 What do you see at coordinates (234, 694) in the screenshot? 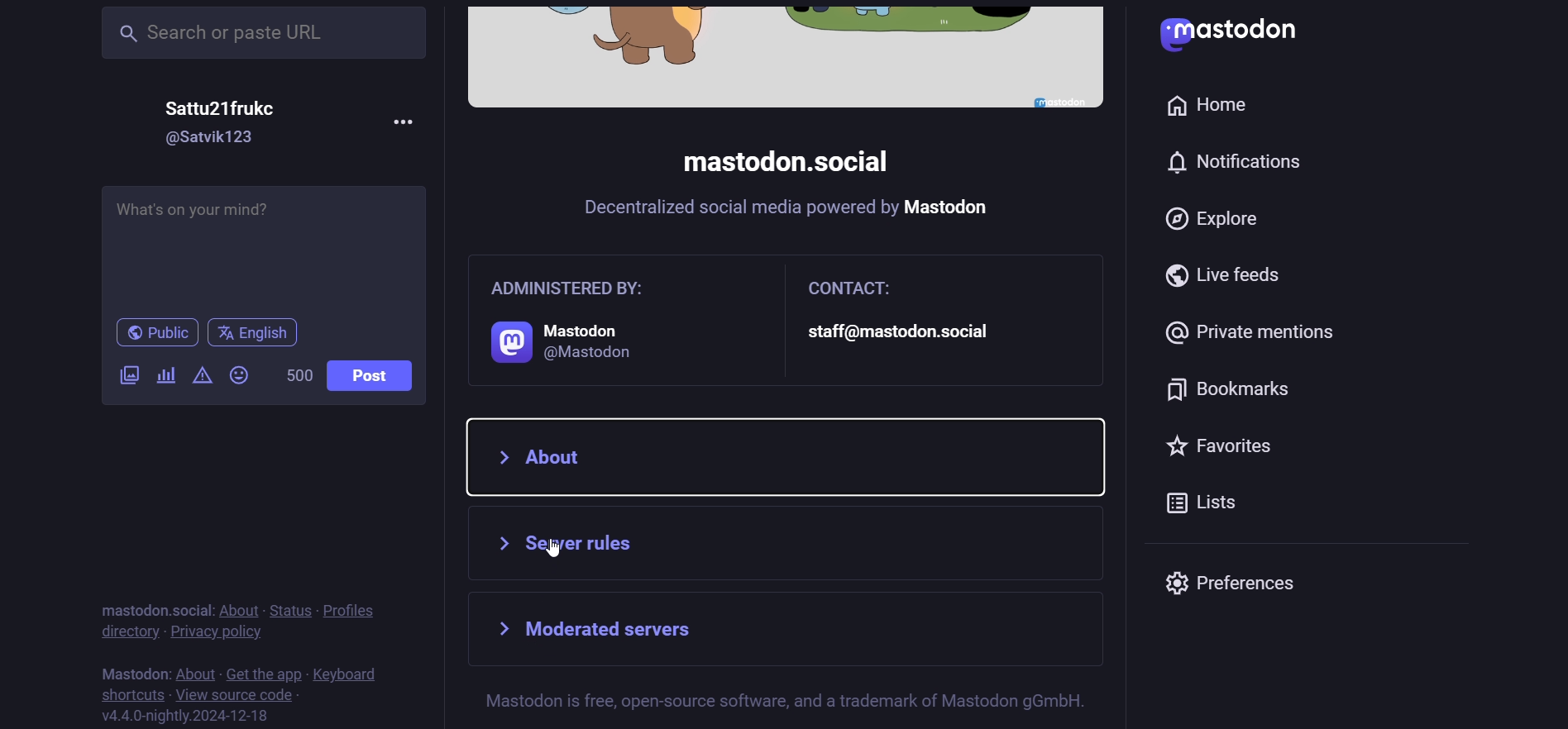
I see `view source code` at bounding box center [234, 694].